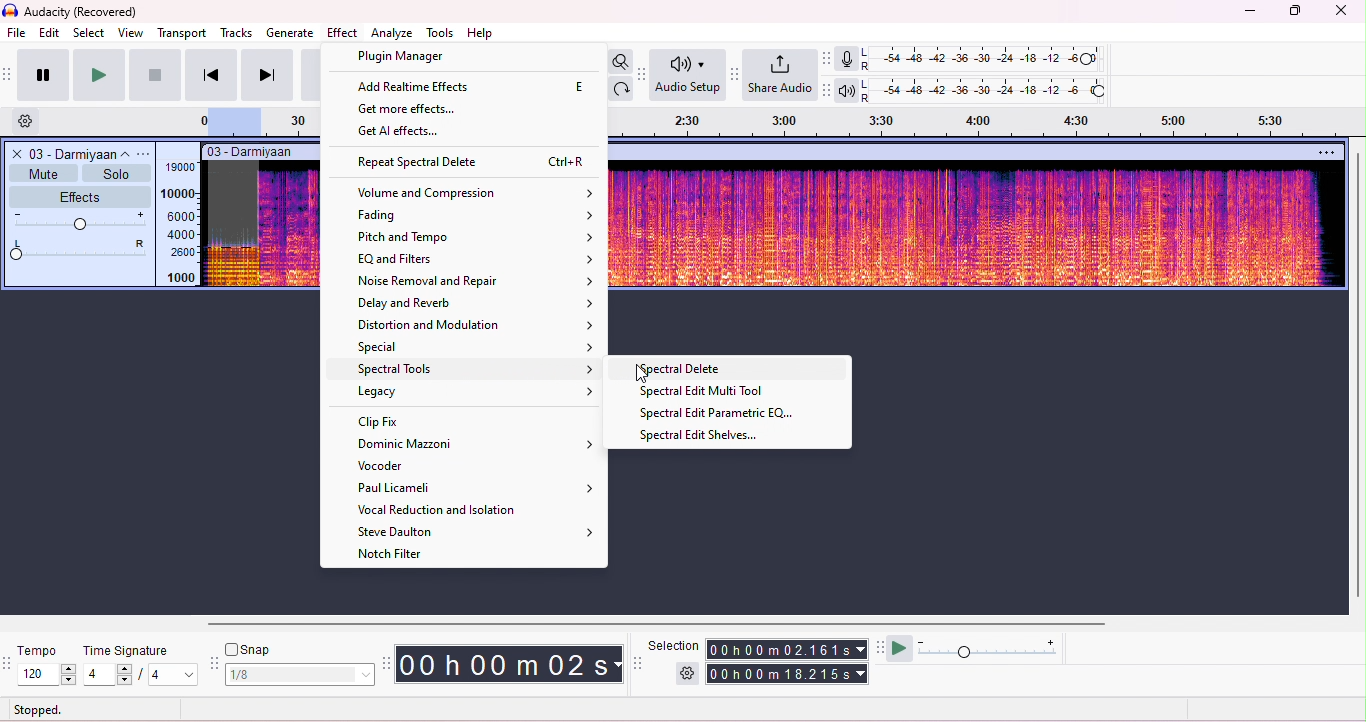  I want to click on tempo, so click(43, 650).